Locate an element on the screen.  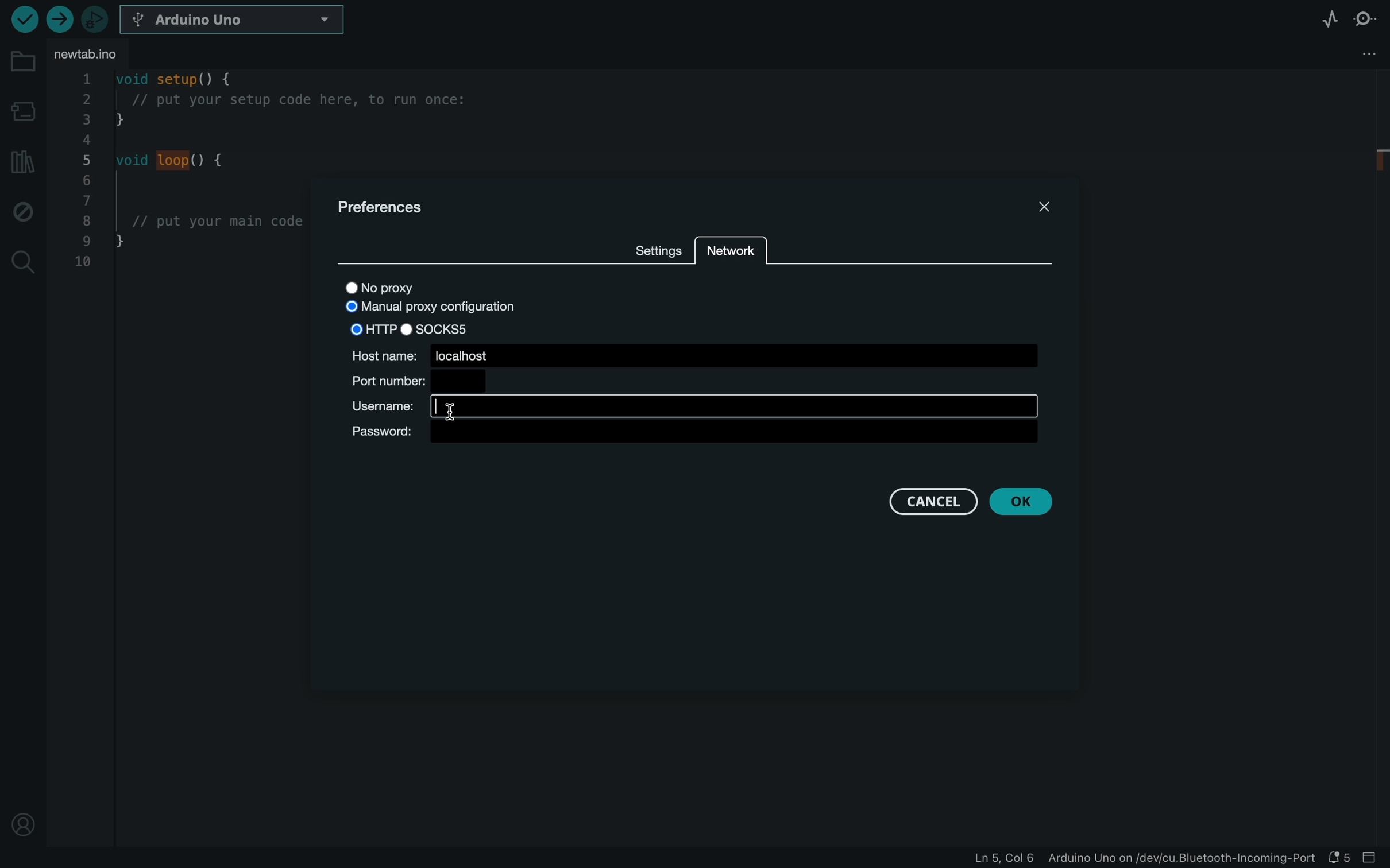
SOCKS5 is located at coordinates (446, 328).